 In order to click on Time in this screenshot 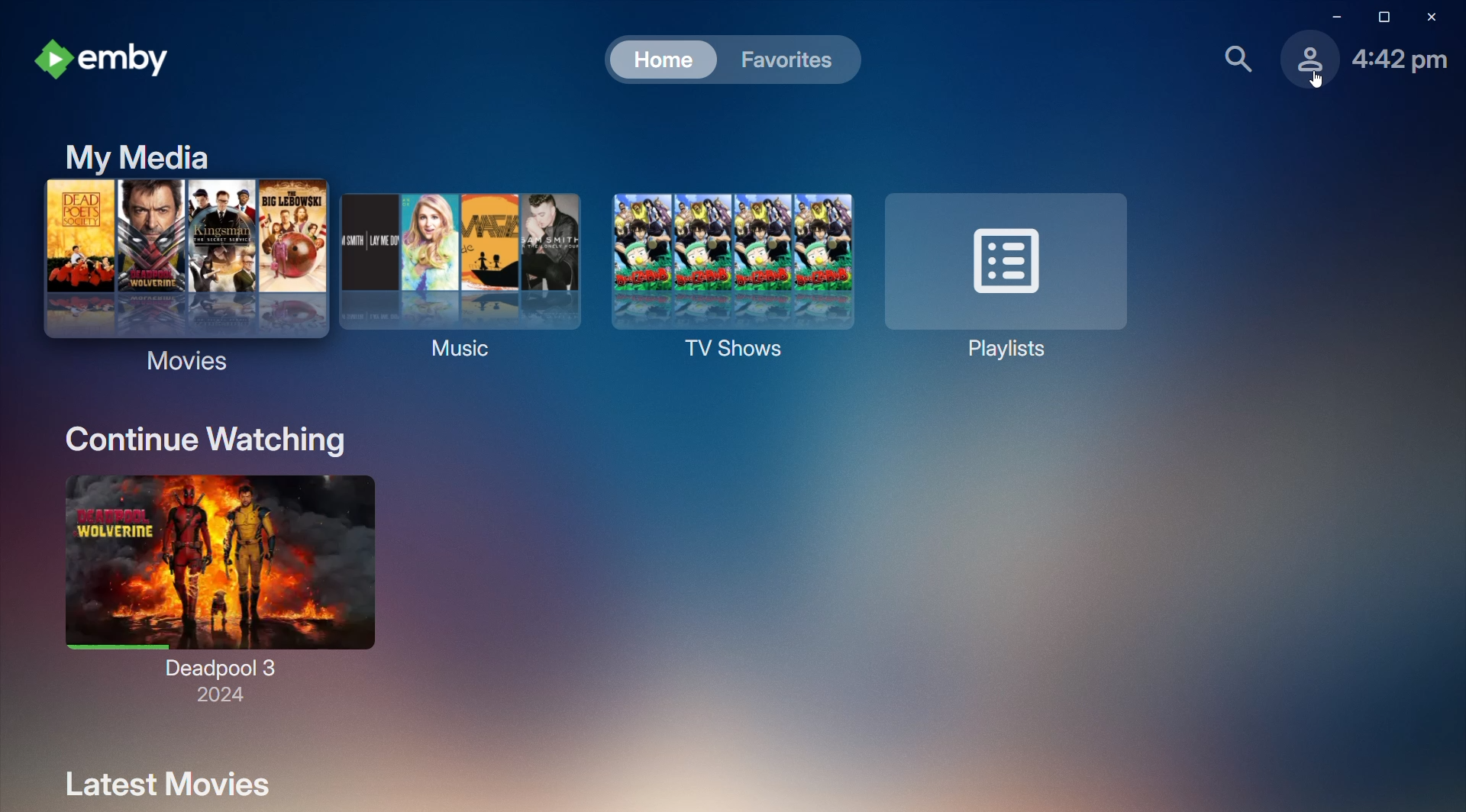, I will do `click(1400, 64)`.